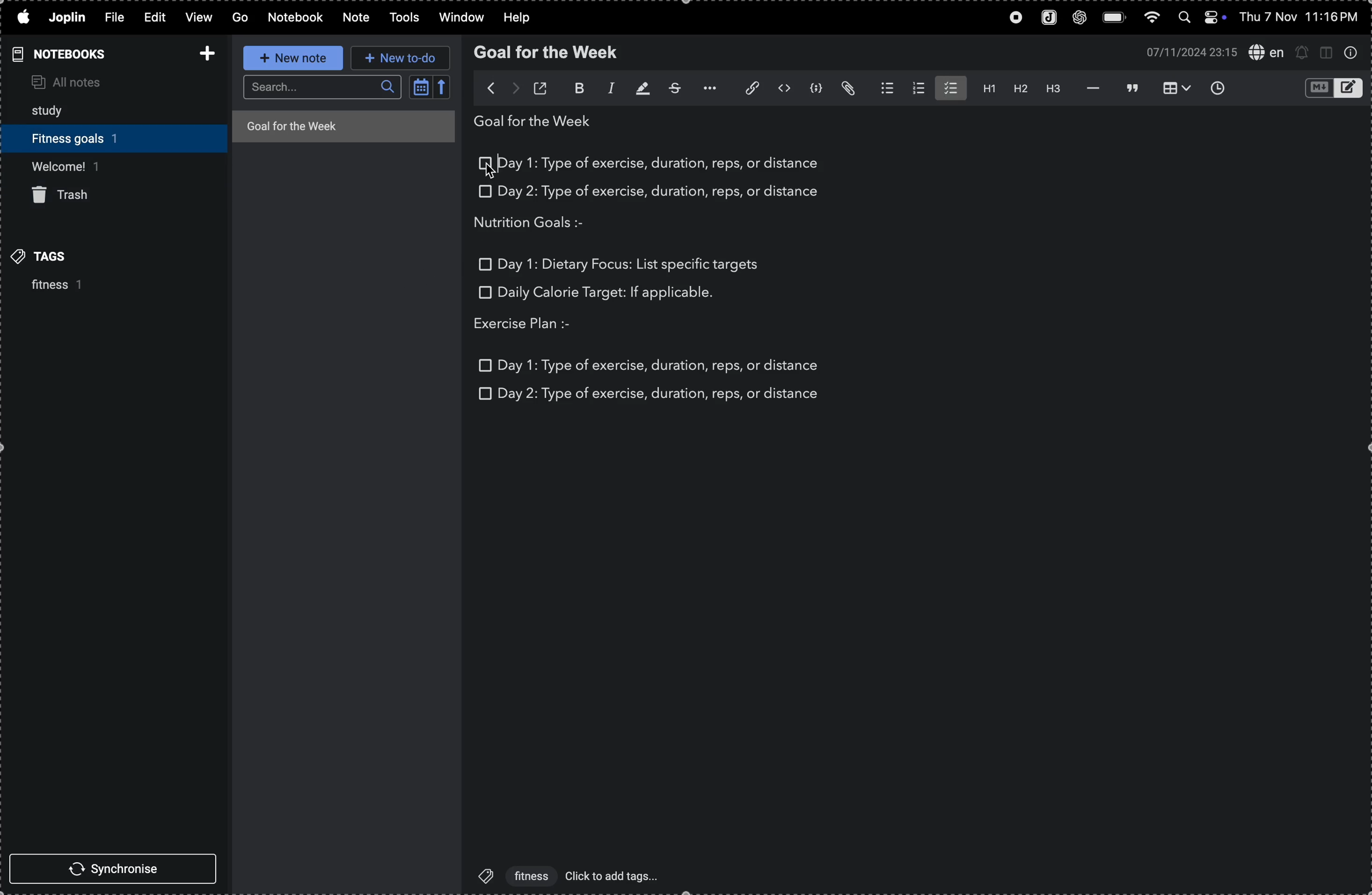  Describe the element at coordinates (400, 59) in the screenshot. I see `new to do` at that location.